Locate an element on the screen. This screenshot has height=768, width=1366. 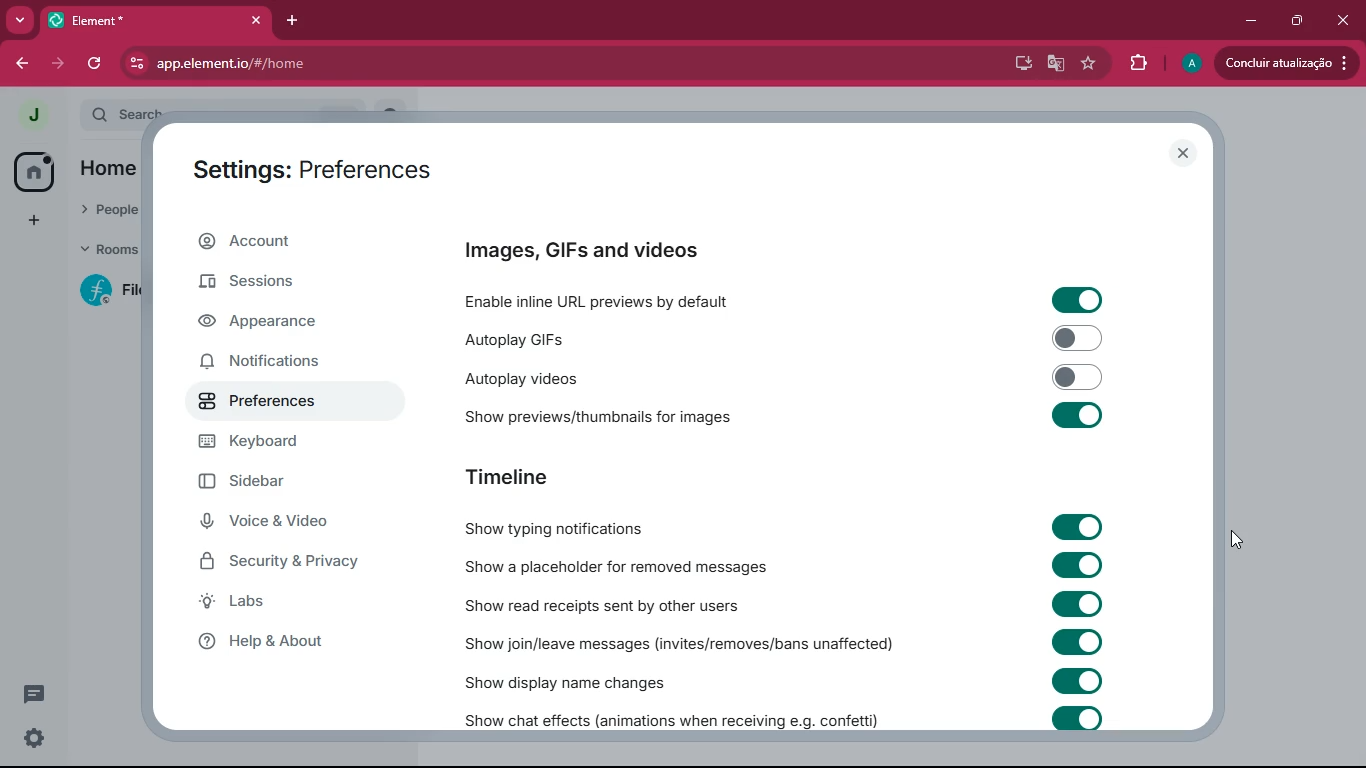
images, GIFs and videos is located at coordinates (591, 250).